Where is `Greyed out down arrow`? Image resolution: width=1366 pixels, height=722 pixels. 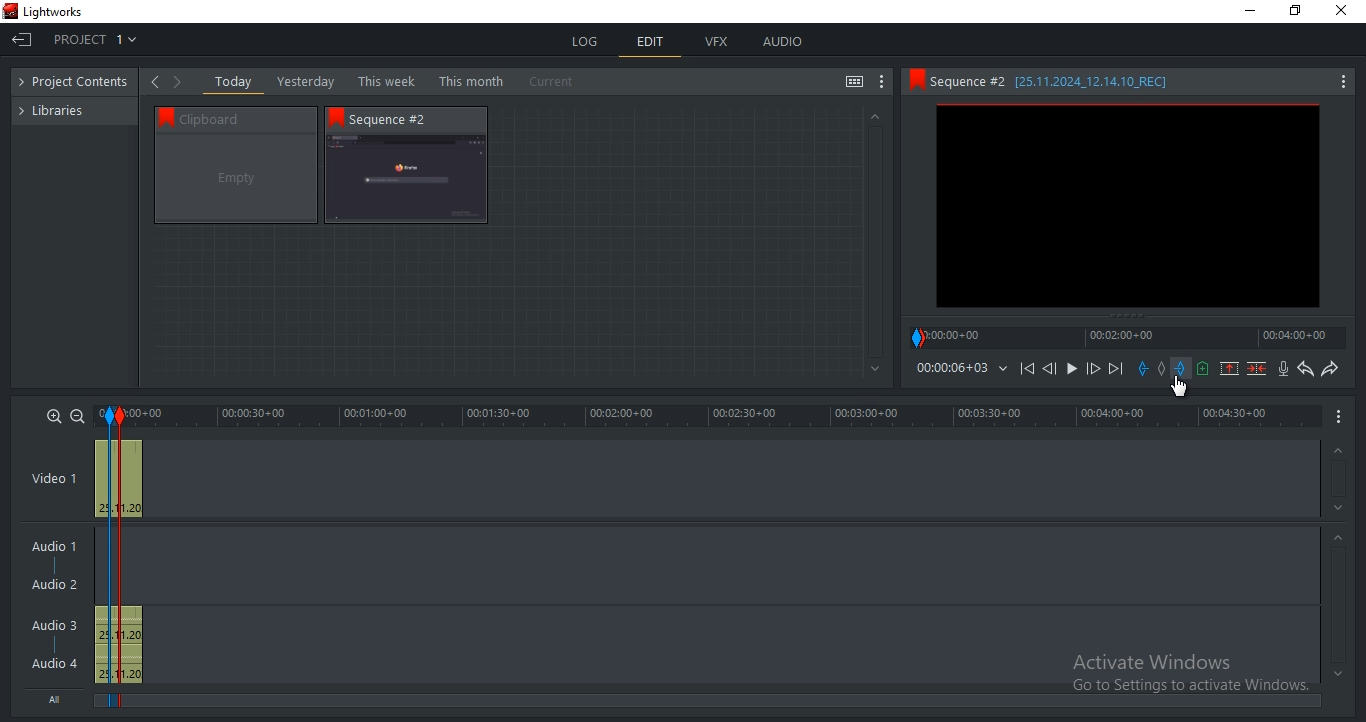
Greyed out down arrow is located at coordinates (1338, 673).